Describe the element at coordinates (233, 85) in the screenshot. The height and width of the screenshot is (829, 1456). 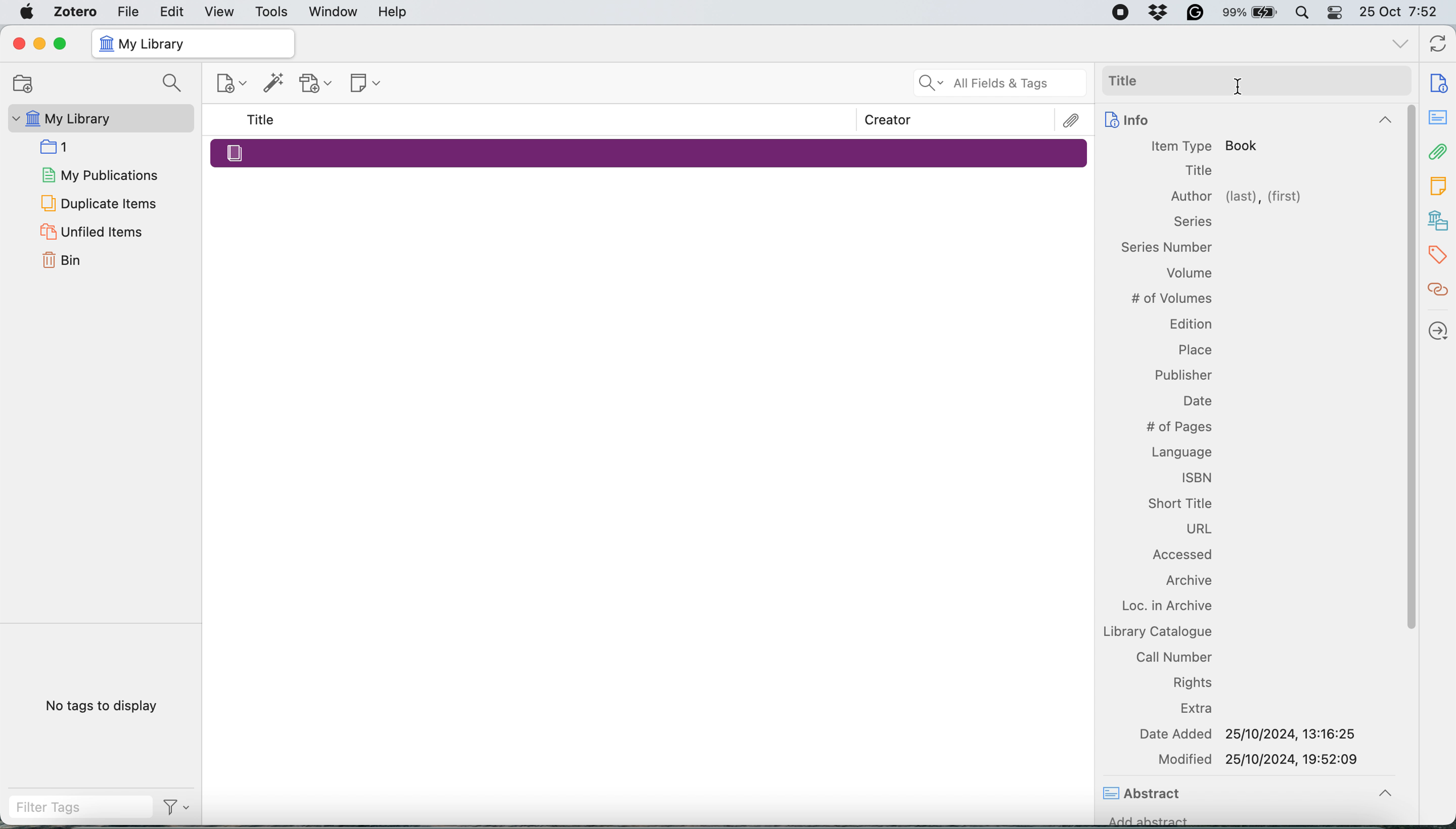
I see `New Item` at that location.